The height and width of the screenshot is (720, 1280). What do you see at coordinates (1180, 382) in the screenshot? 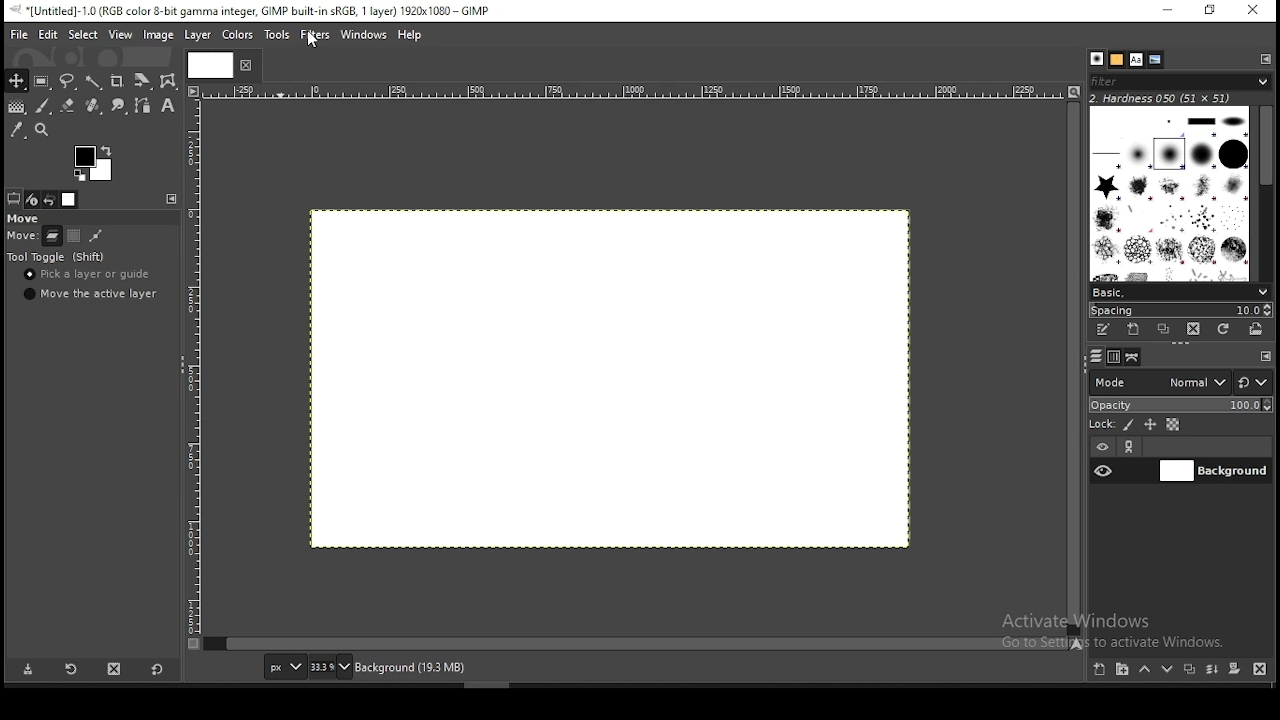
I see `blend mode` at bounding box center [1180, 382].